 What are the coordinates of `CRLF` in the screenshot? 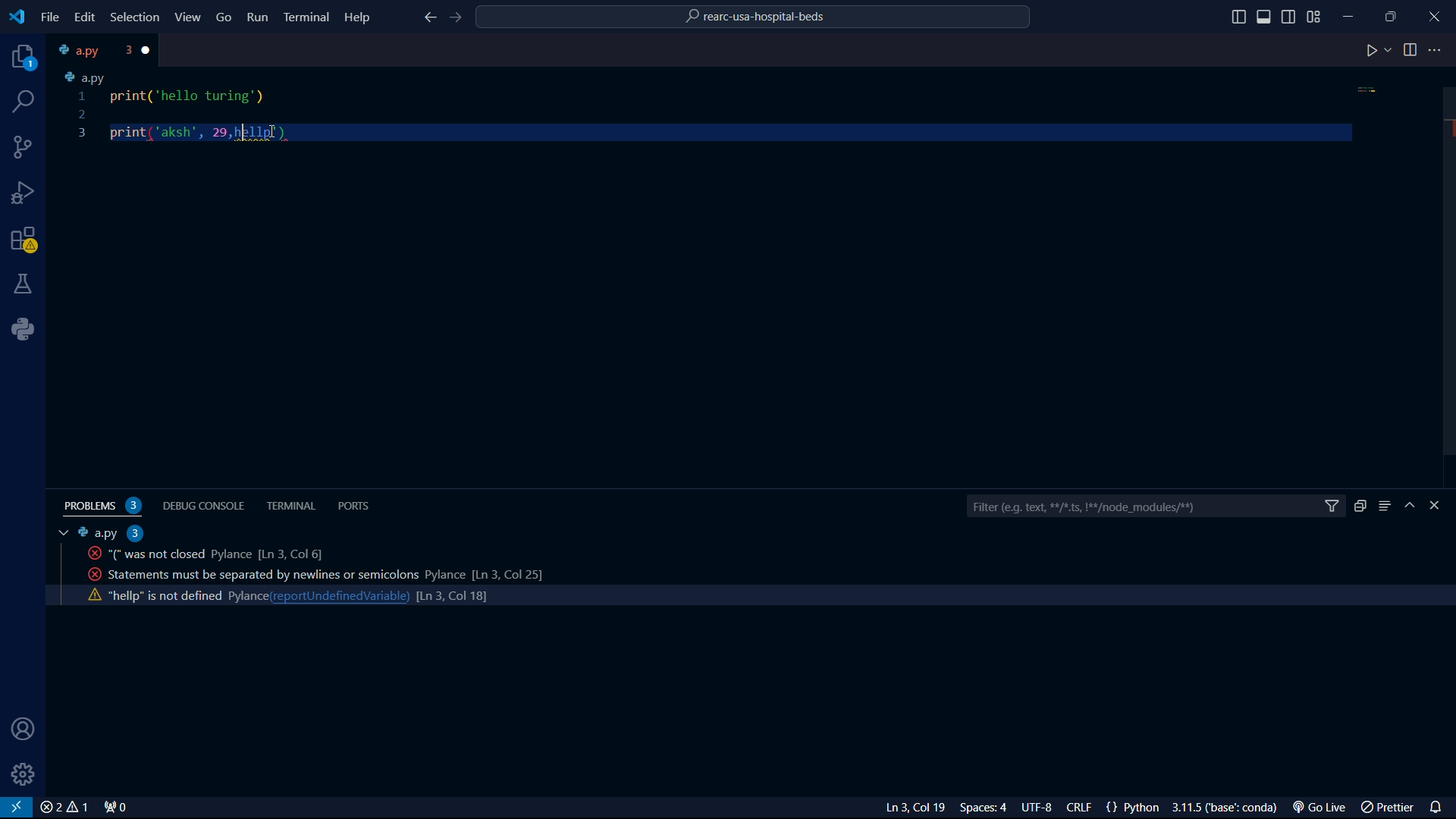 It's located at (1082, 808).